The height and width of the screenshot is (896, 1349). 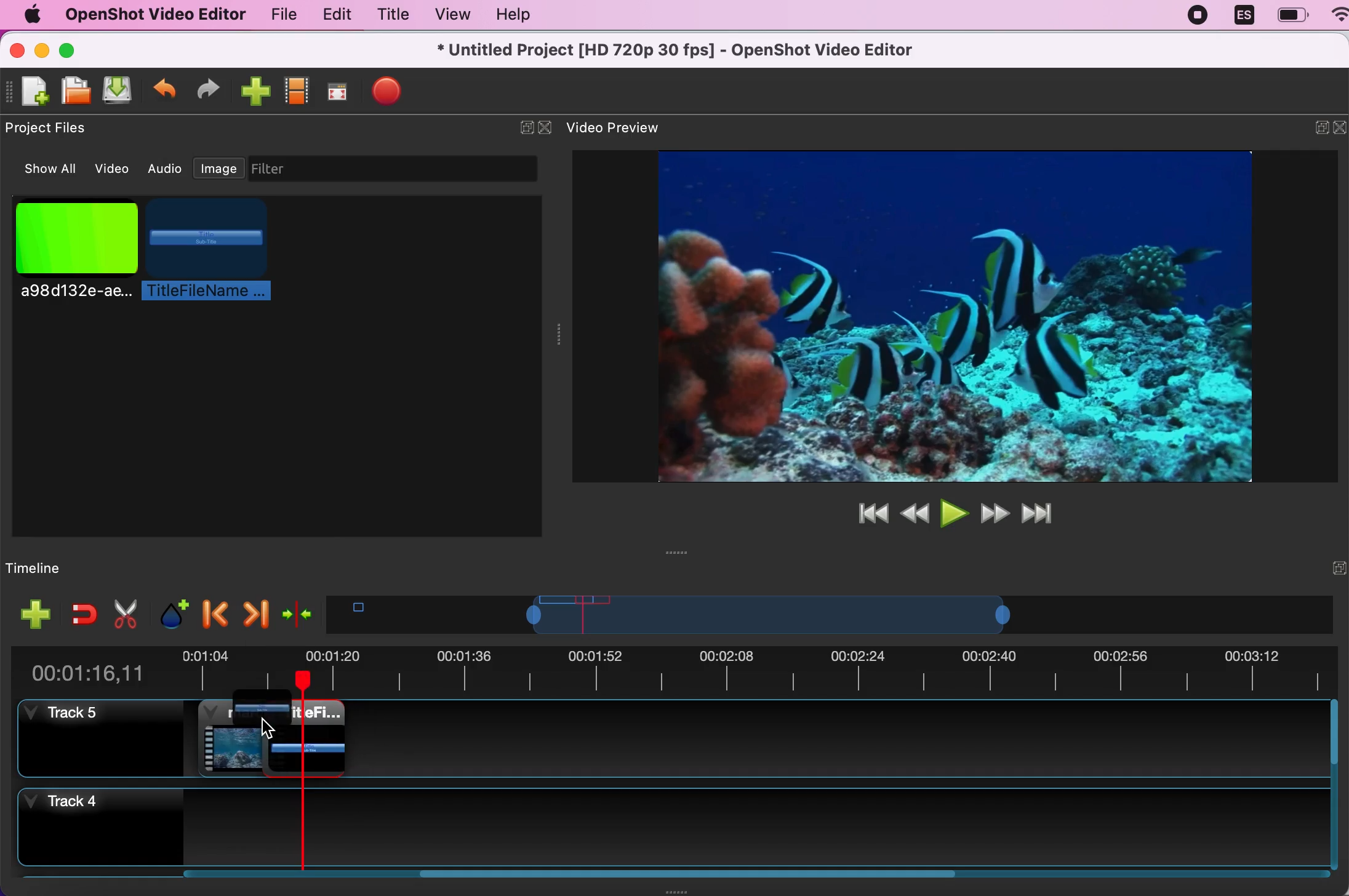 What do you see at coordinates (319, 738) in the screenshot?
I see `clip 2` at bounding box center [319, 738].